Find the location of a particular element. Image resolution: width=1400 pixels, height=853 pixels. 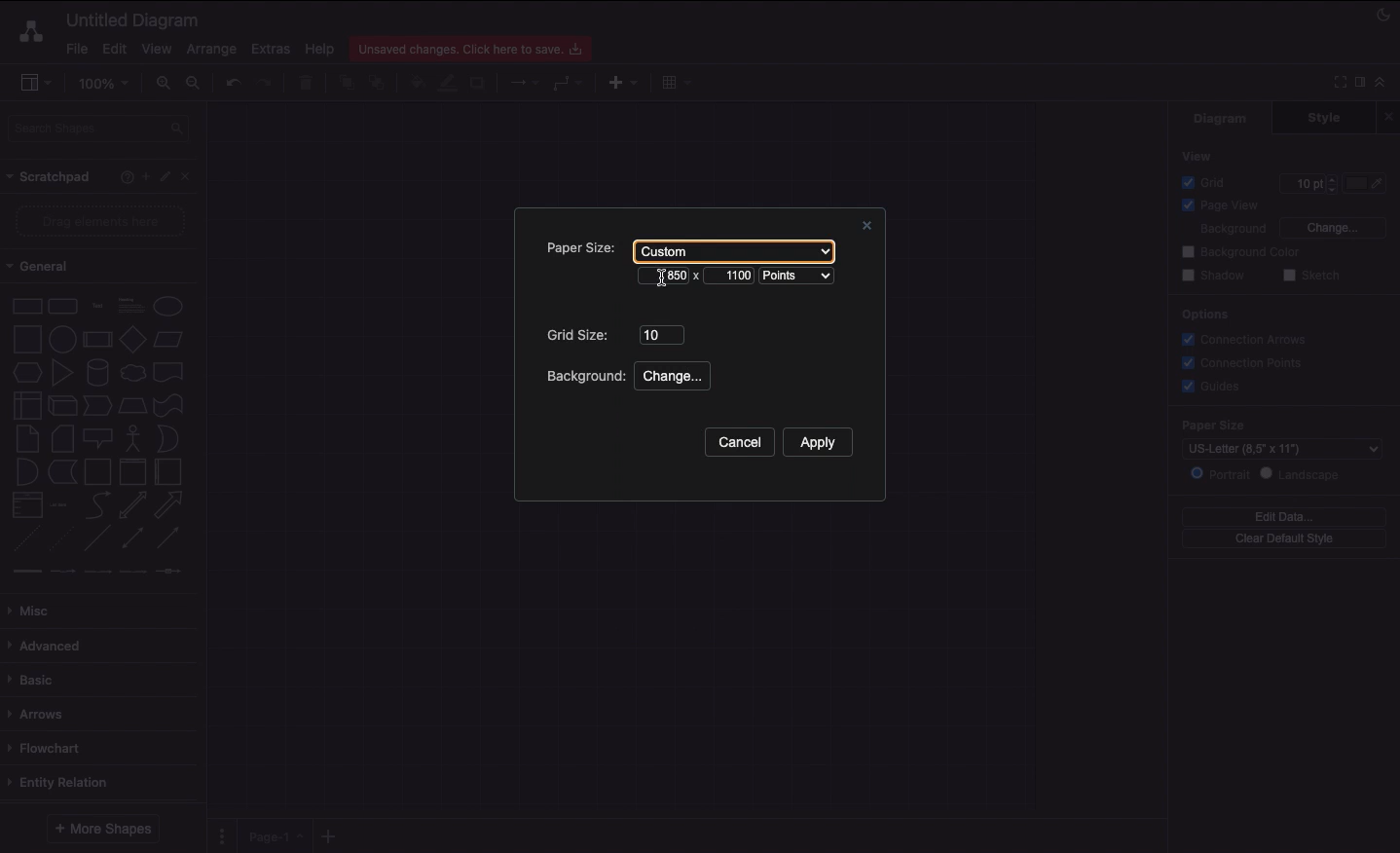

Item list is located at coordinates (64, 505).